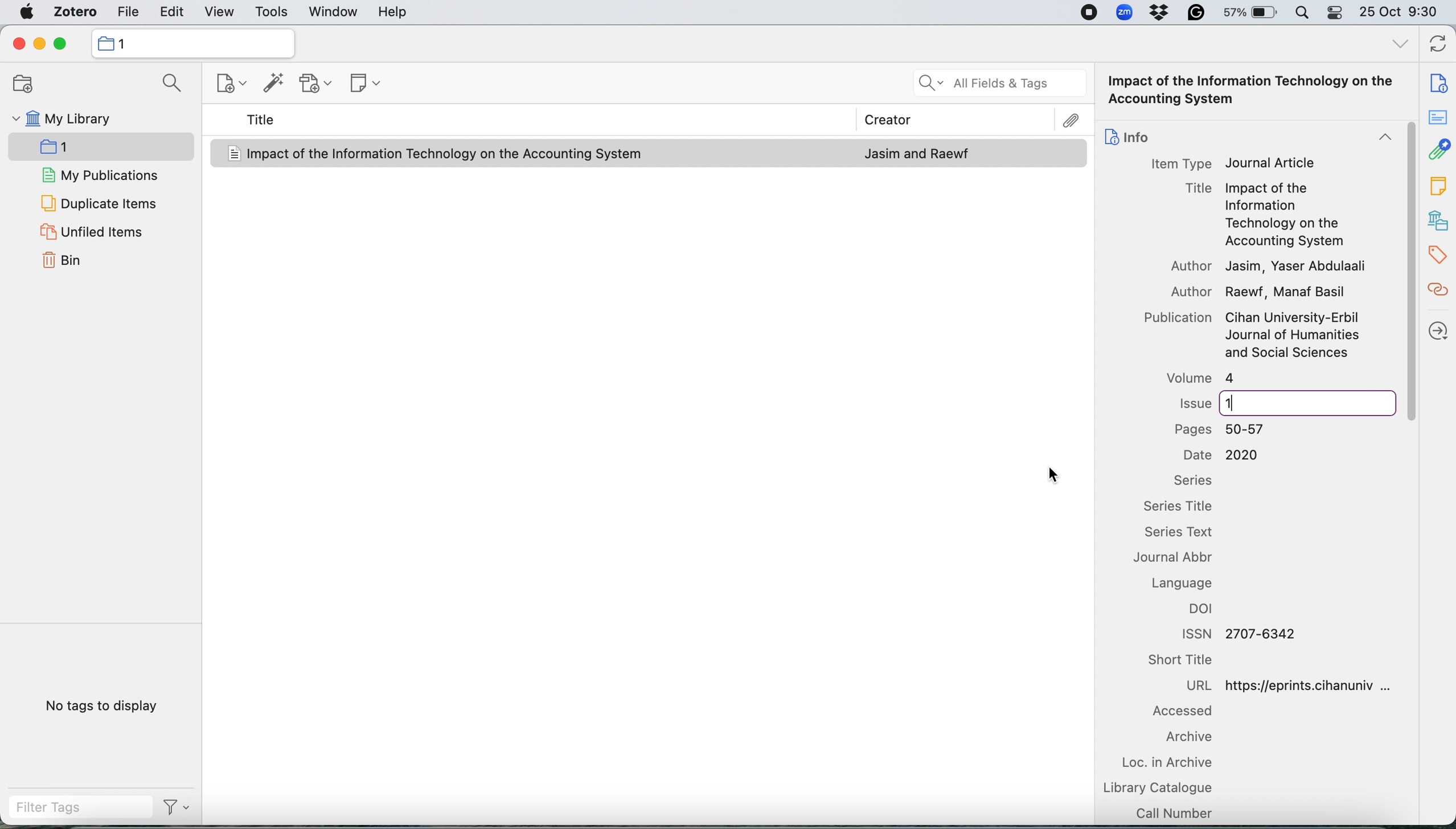  I want to click on cursor, so click(1054, 474).